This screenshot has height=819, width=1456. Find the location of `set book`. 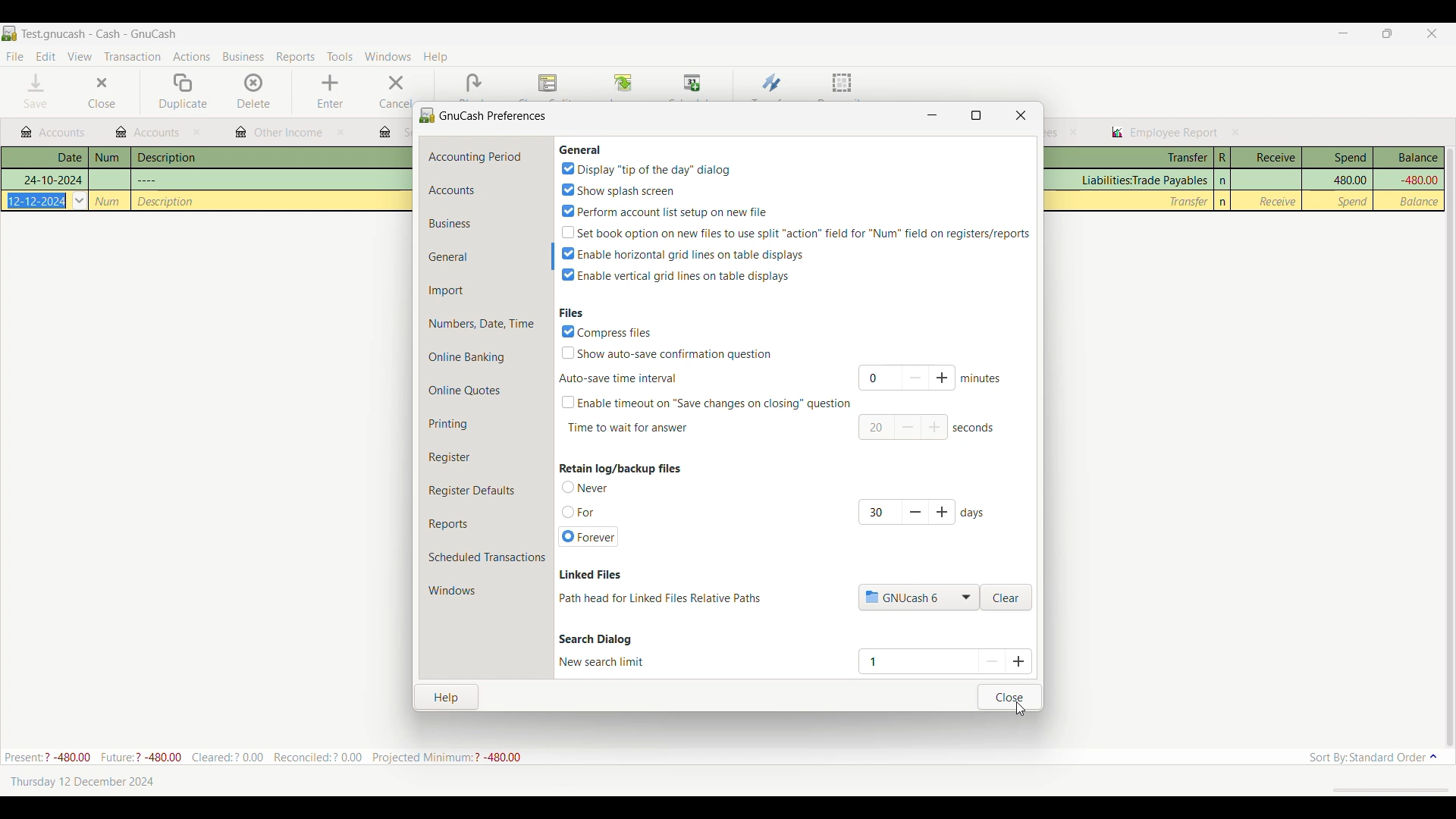

set book is located at coordinates (795, 231).